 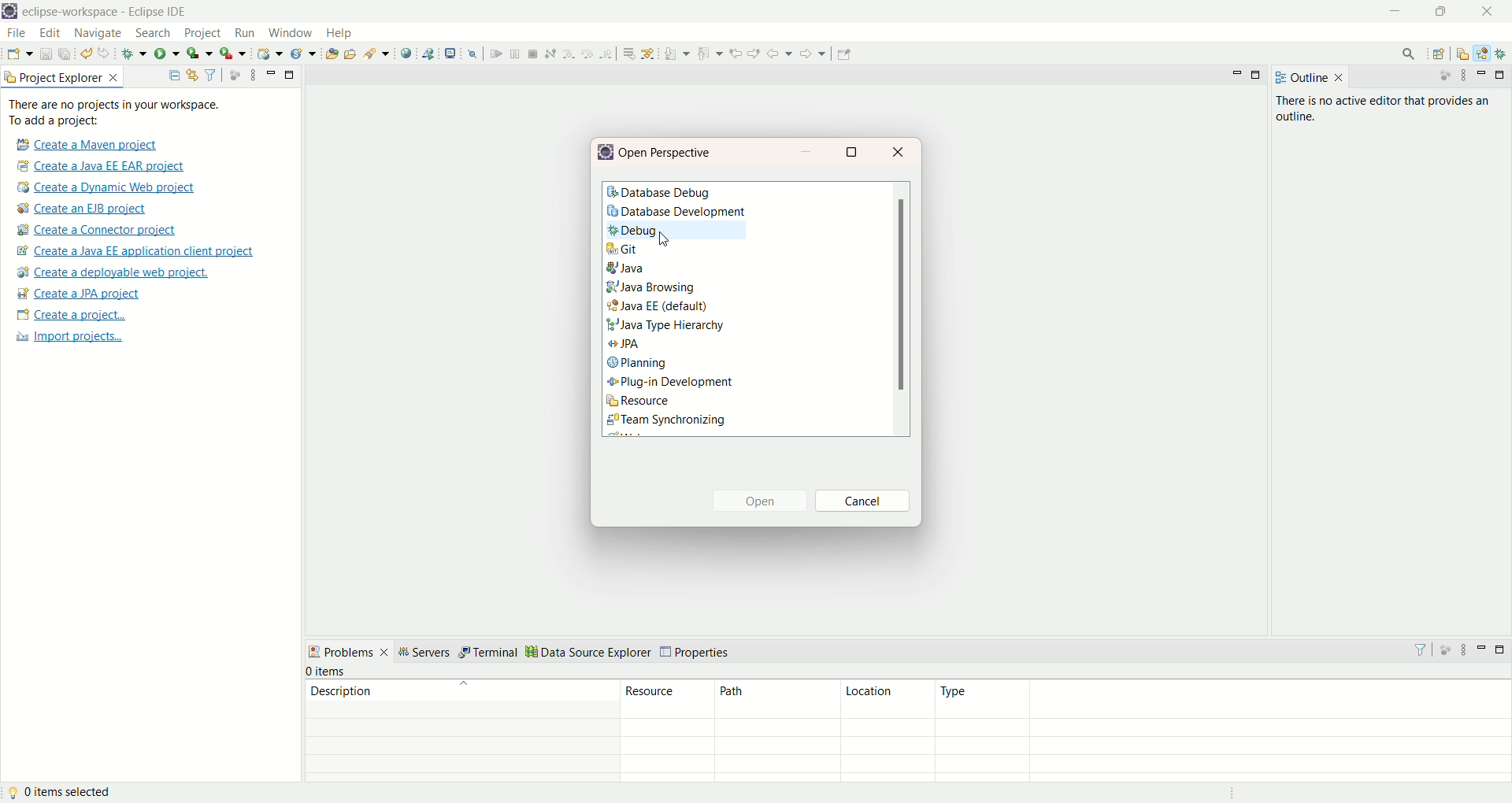 What do you see at coordinates (70, 337) in the screenshot?
I see `import projects` at bounding box center [70, 337].